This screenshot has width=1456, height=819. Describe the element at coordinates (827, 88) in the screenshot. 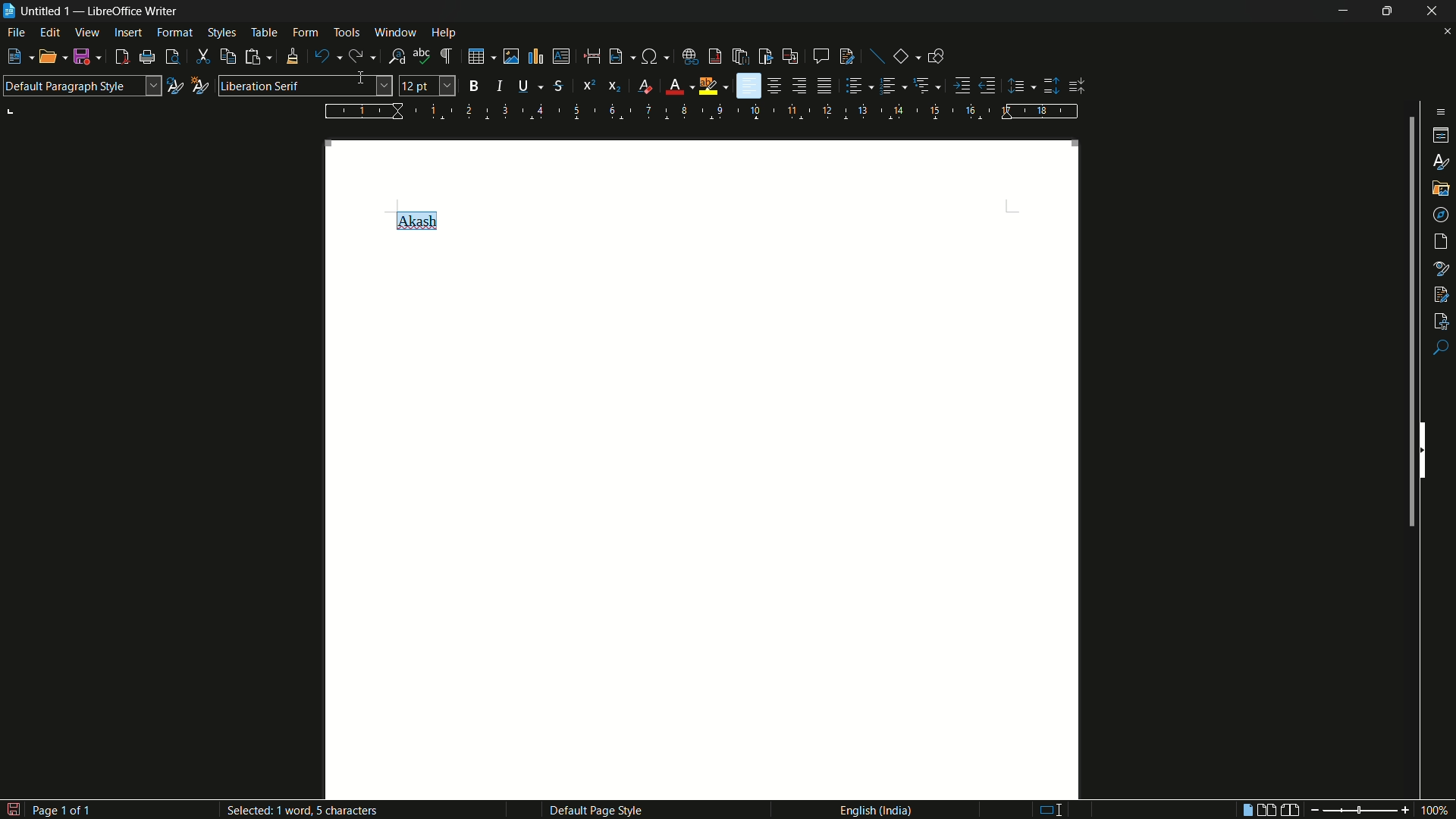

I see `justify` at that location.